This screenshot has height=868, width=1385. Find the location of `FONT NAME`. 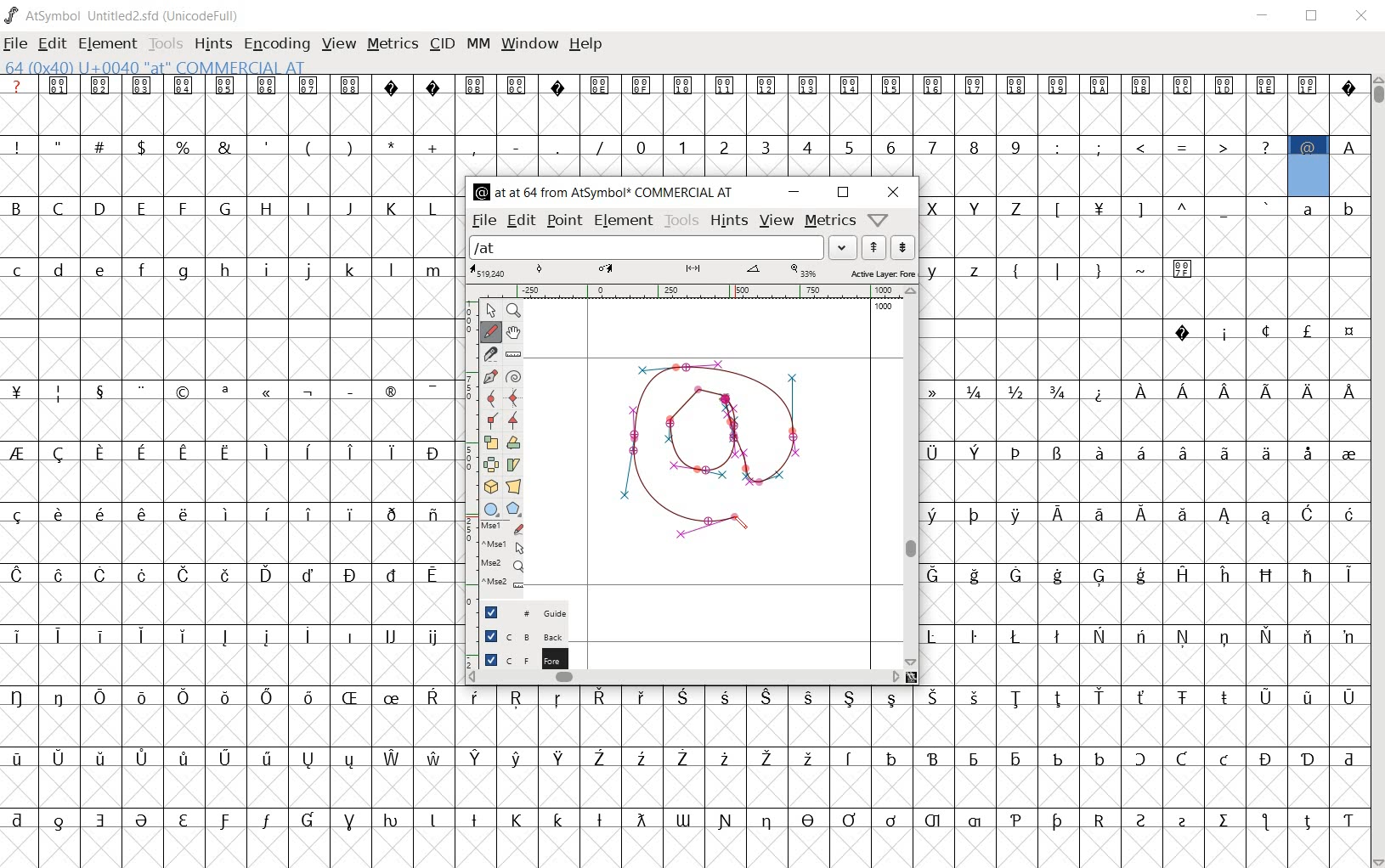

FONT NAME is located at coordinates (124, 15).